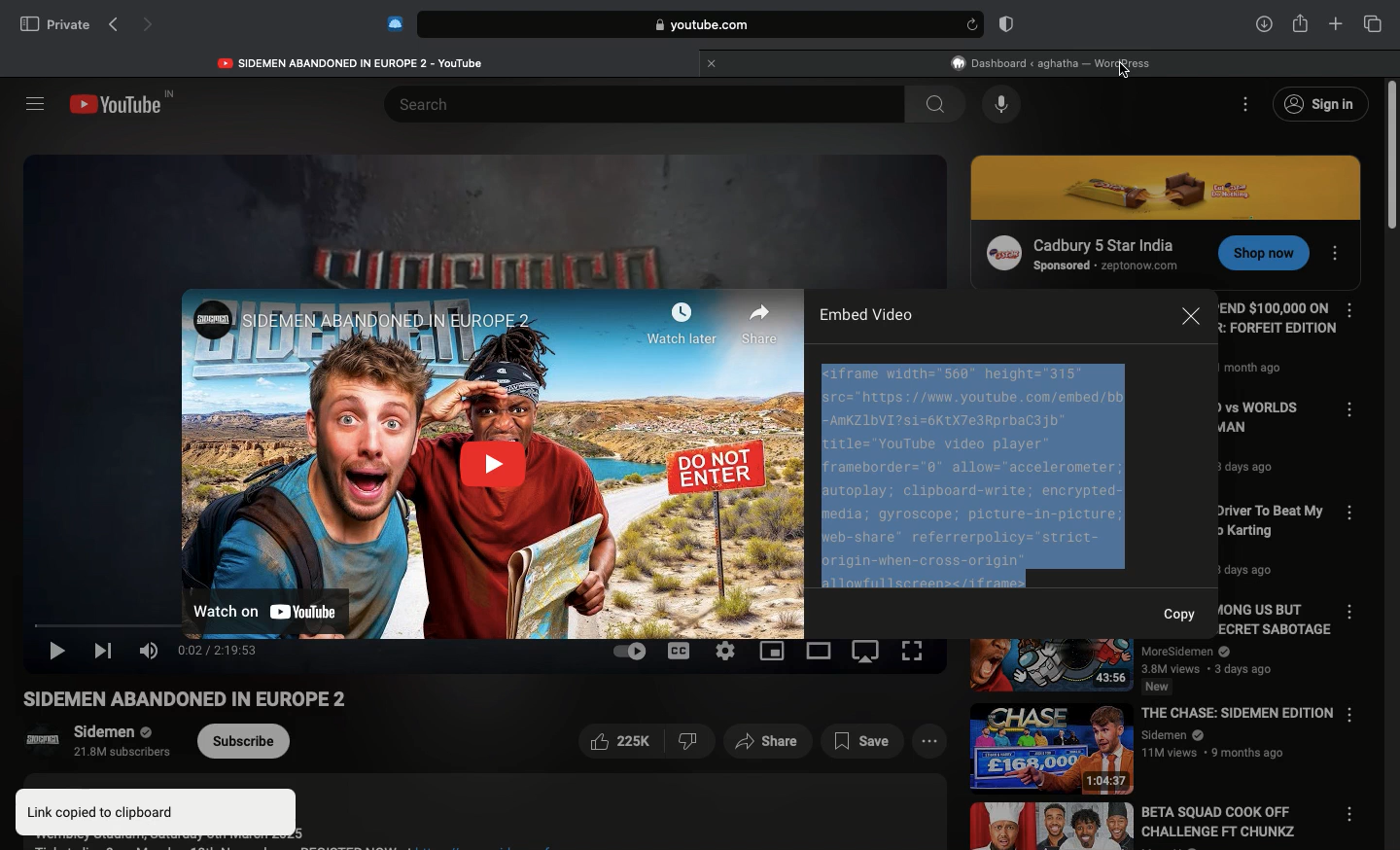 This screenshot has height=850, width=1400. Describe the element at coordinates (1339, 249) in the screenshot. I see `Options` at that location.